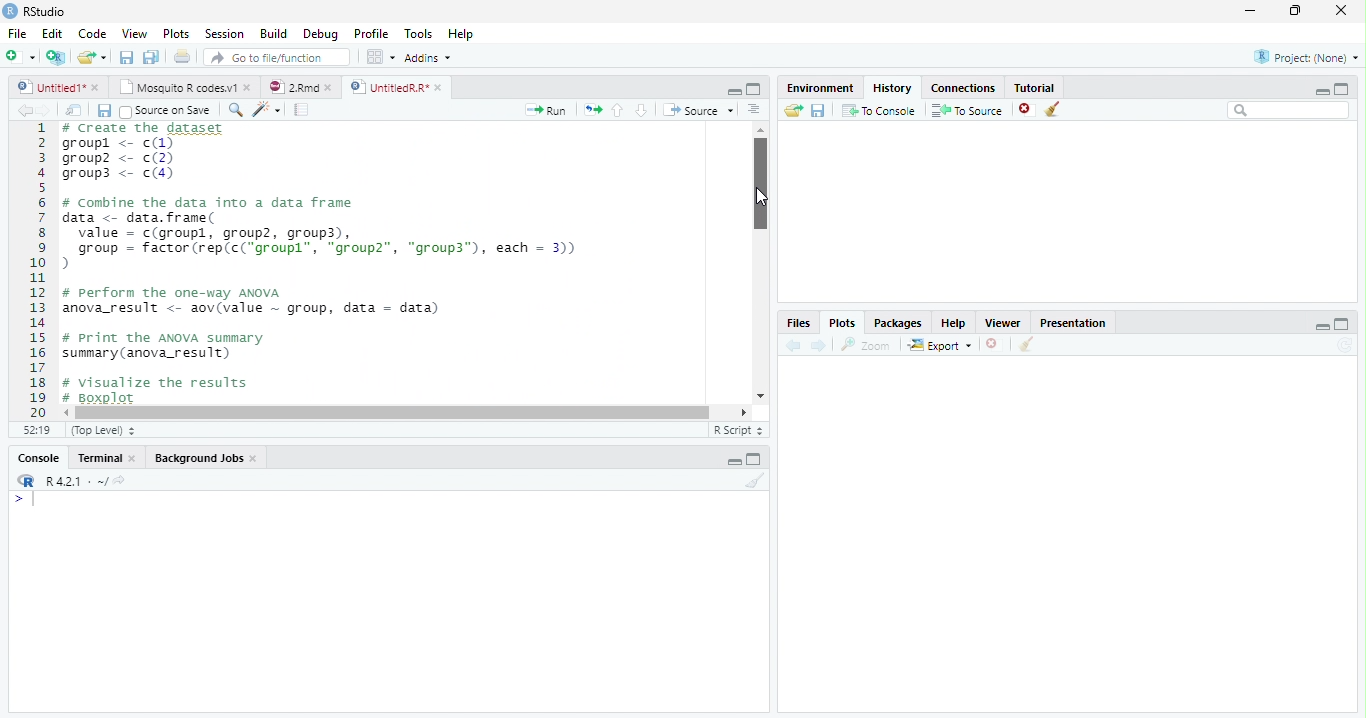 The image size is (1366, 718). What do you see at coordinates (19, 56) in the screenshot?
I see `New file` at bounding box center [19, 56].